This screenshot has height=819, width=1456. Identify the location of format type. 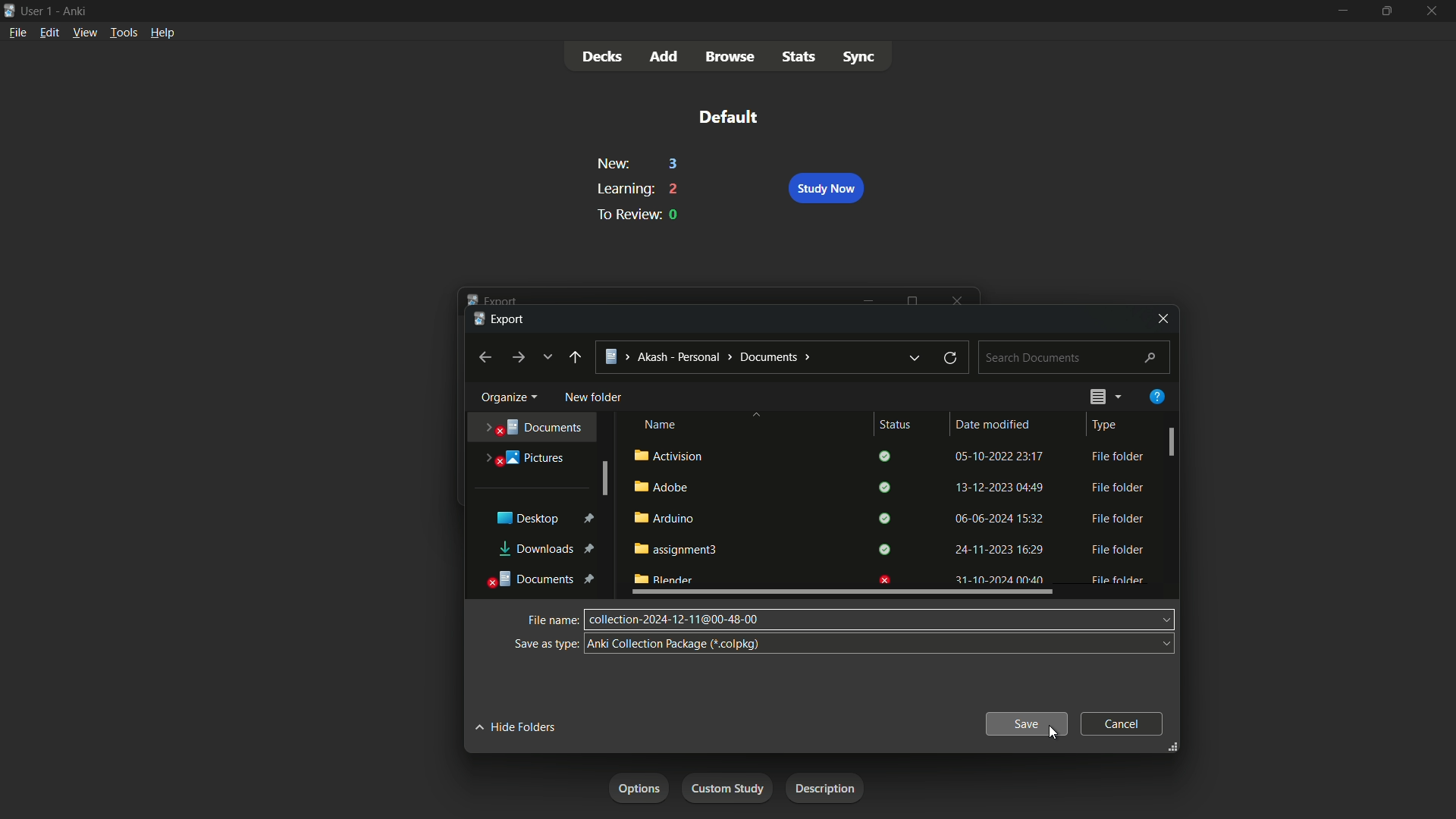
(674, 644).